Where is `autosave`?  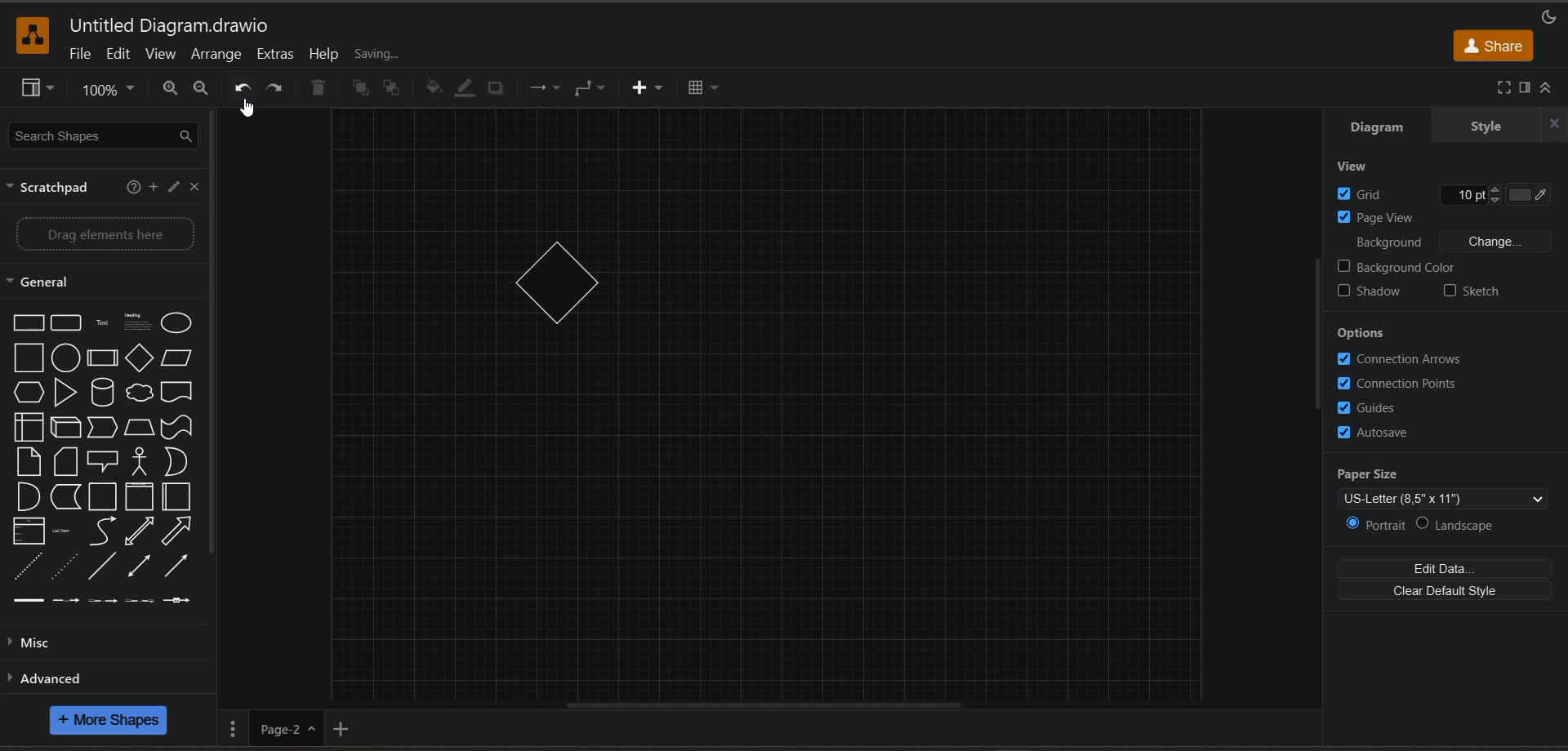 autosave is located at coordinates (1383, 433).